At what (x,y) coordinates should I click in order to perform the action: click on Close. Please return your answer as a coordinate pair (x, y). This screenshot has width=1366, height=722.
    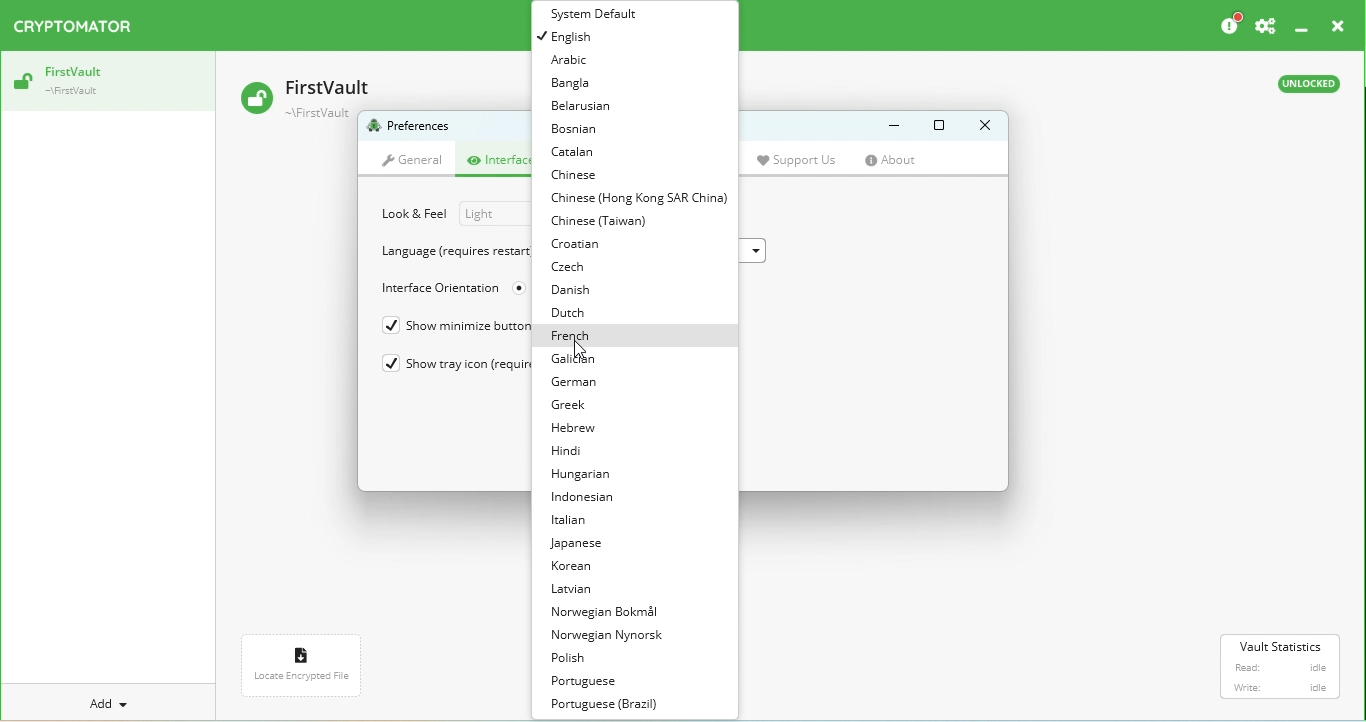
    Looking at the image, I should click on (1335, 28).